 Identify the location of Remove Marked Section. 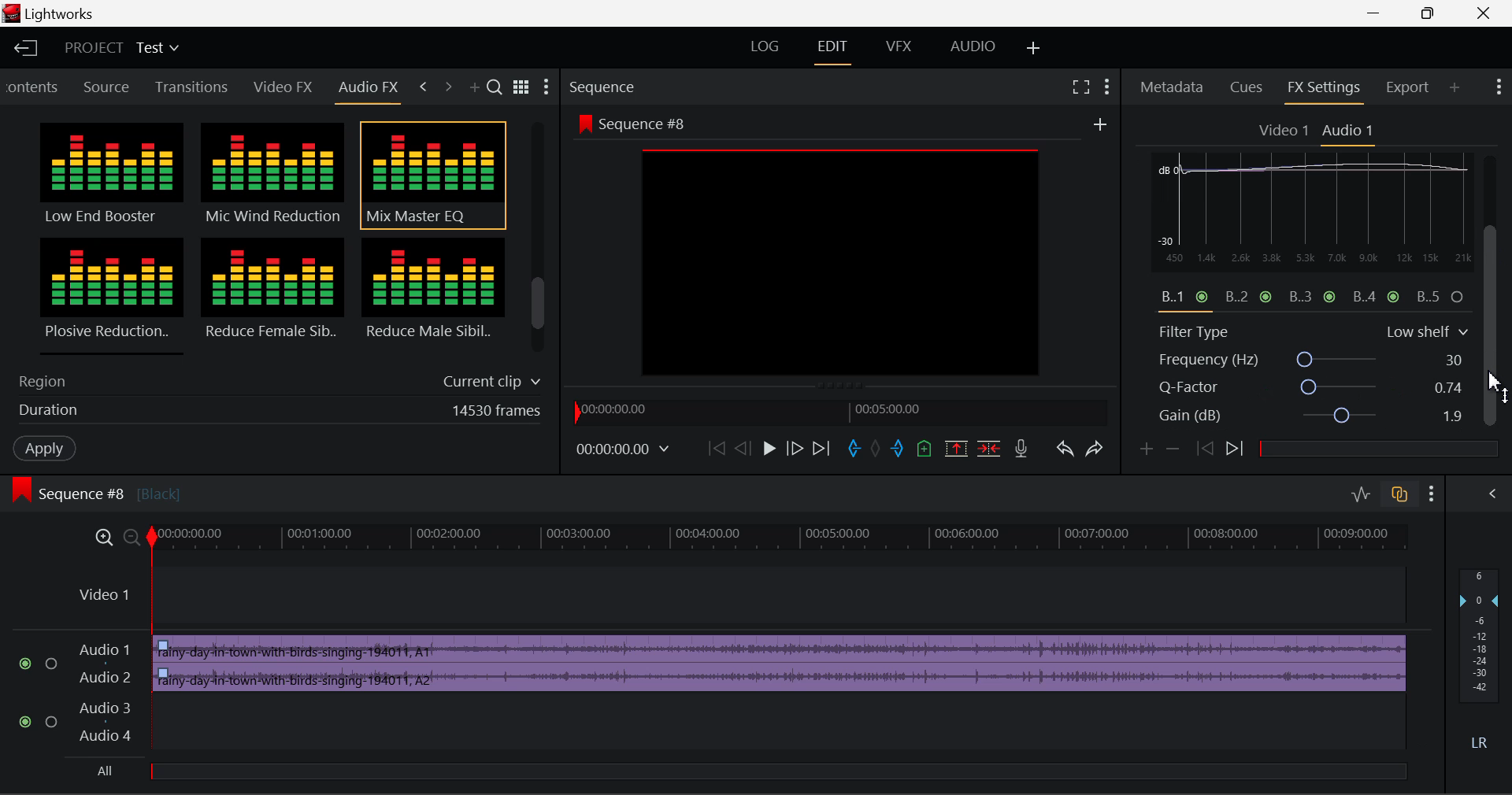
(954, 448).